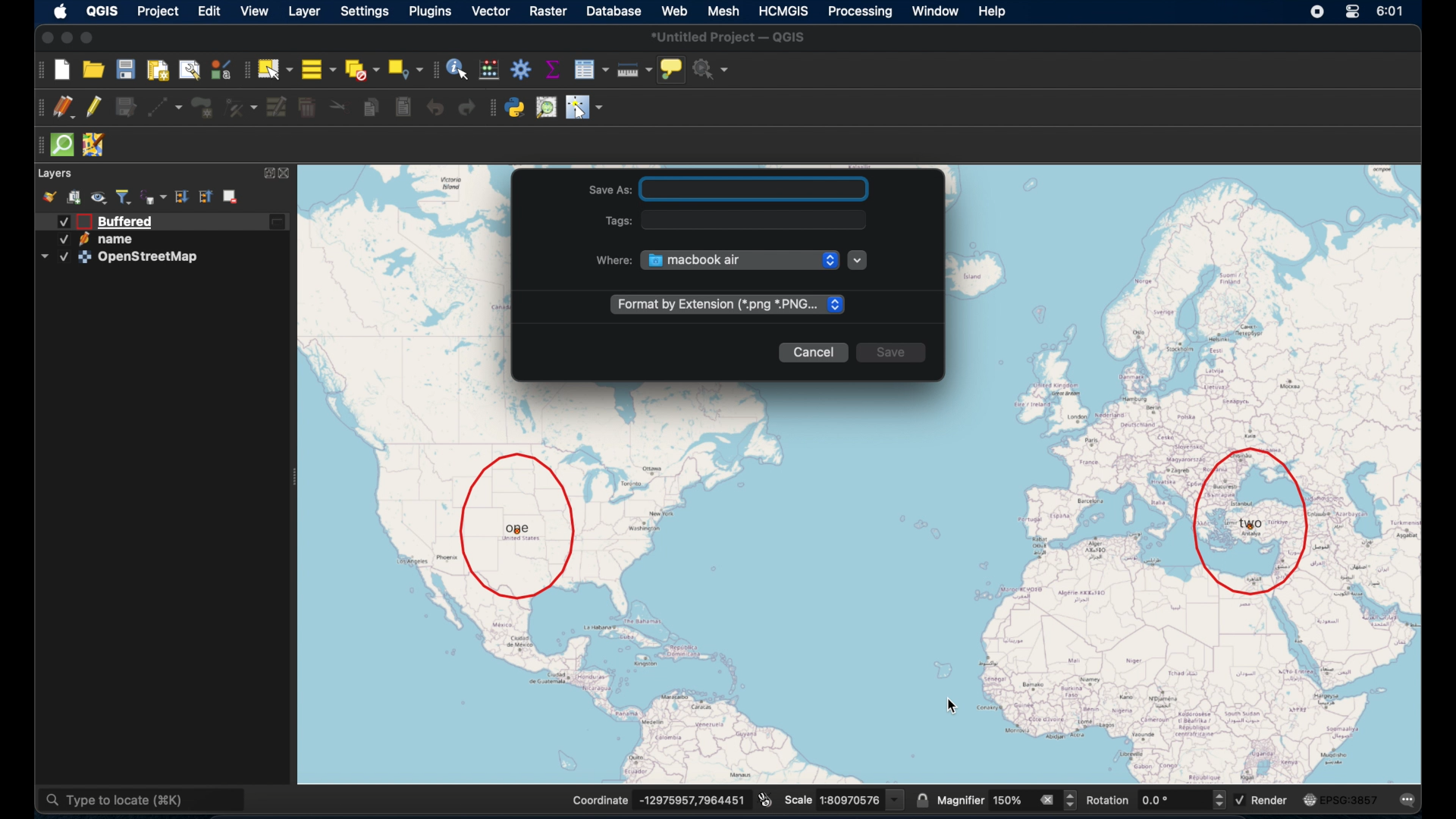 The height and width of the screenshot is (819, 1456). Describe the element at coordinates (39, 108) in the screenshot. I see `drag handle` at that location.